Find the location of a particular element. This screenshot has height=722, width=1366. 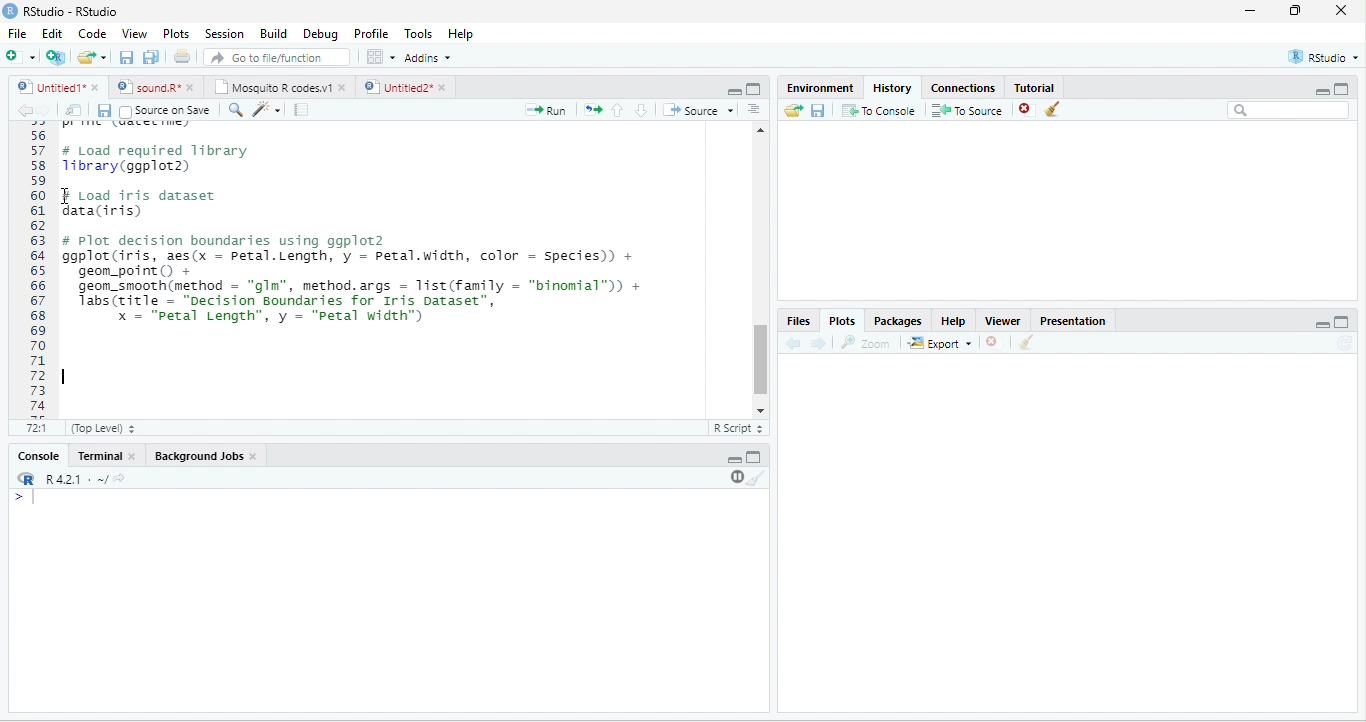

Maximize is located at coordinates (1341, 322).